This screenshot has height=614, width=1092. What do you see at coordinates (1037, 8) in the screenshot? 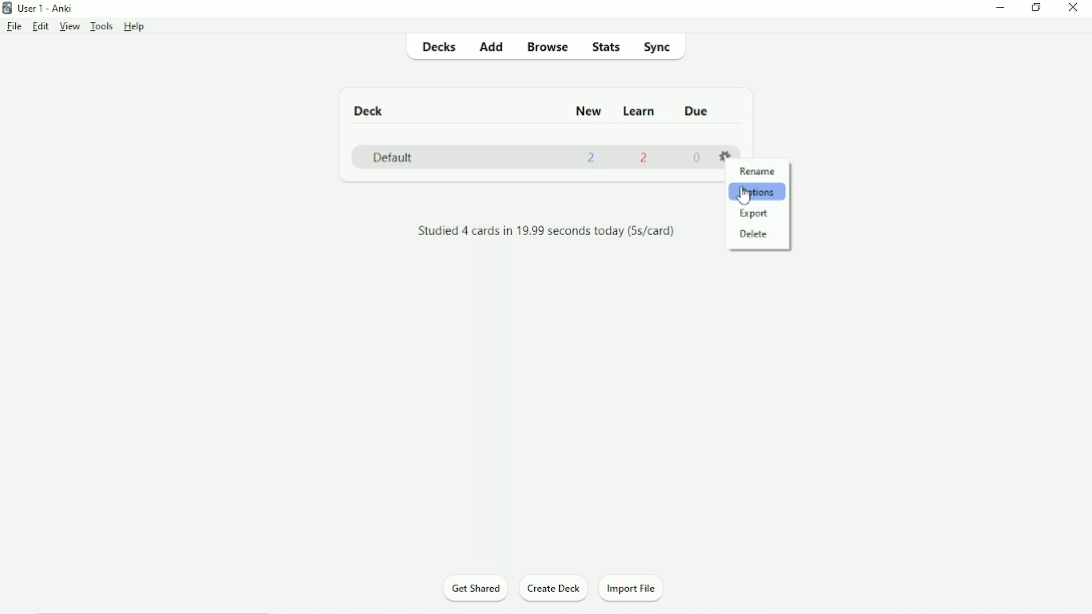
I see `Restore down` at bounding box center [1037, 8].